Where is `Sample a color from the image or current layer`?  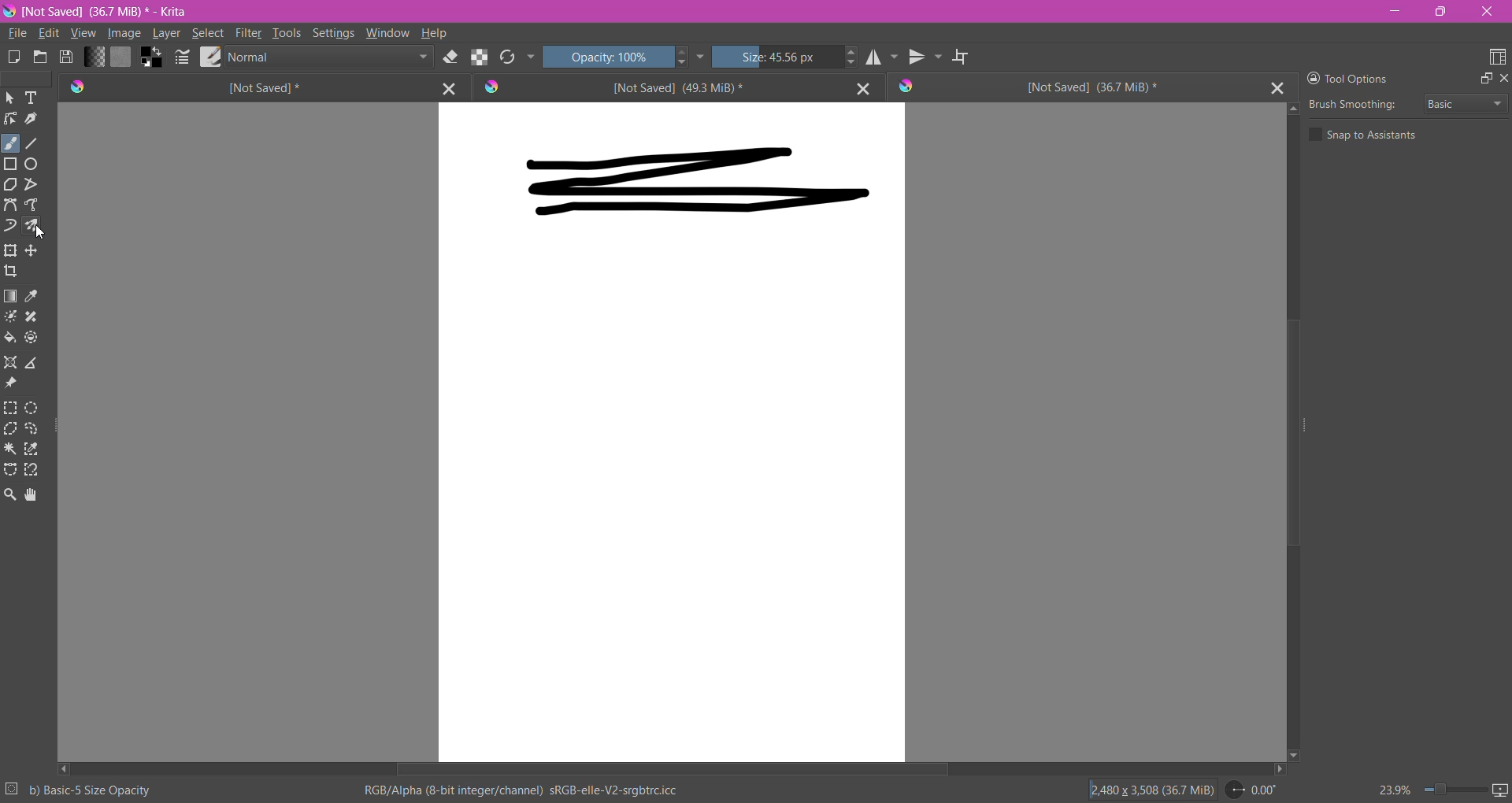 Sample a color from the image or current layer is located at coordinates (35, 296).